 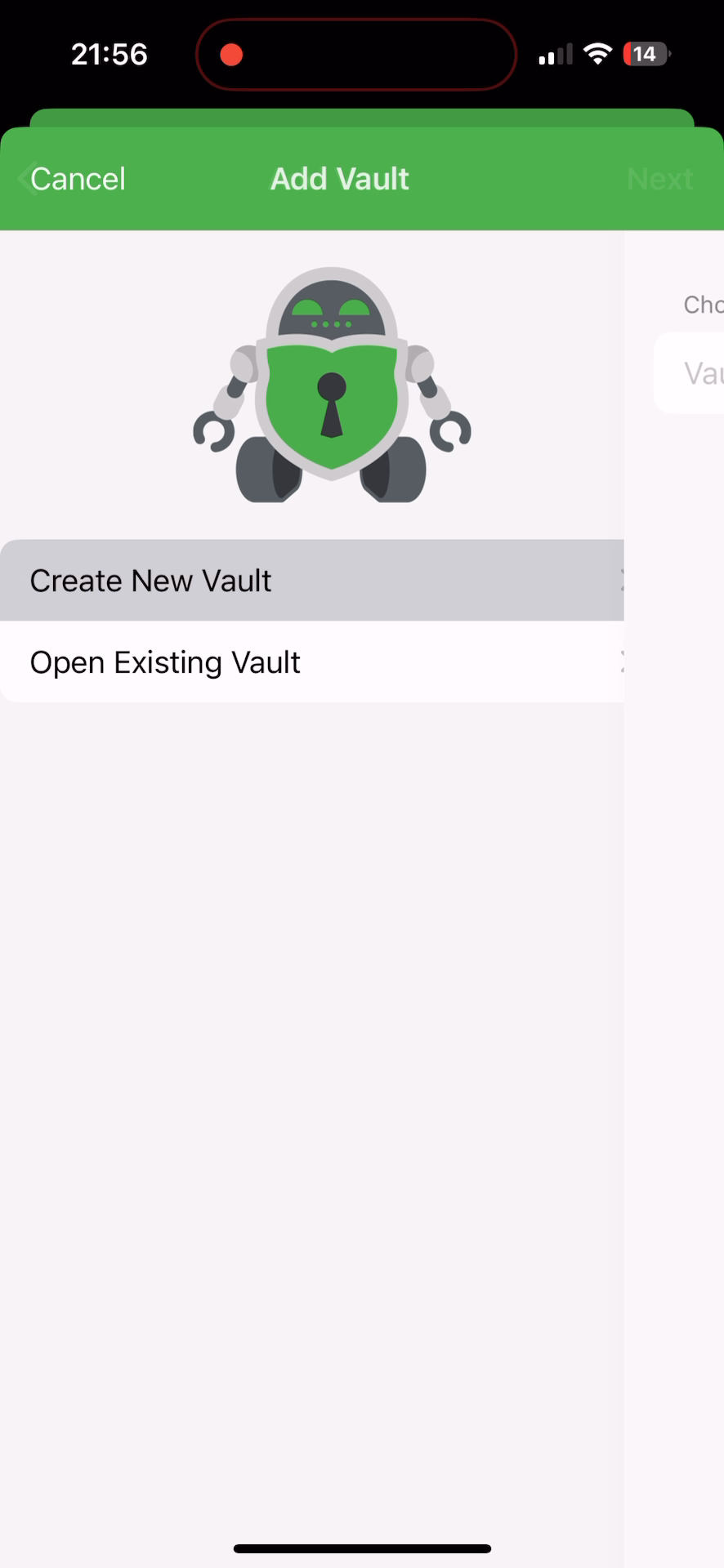 I want to click on icon, so click(x=333, y=388).